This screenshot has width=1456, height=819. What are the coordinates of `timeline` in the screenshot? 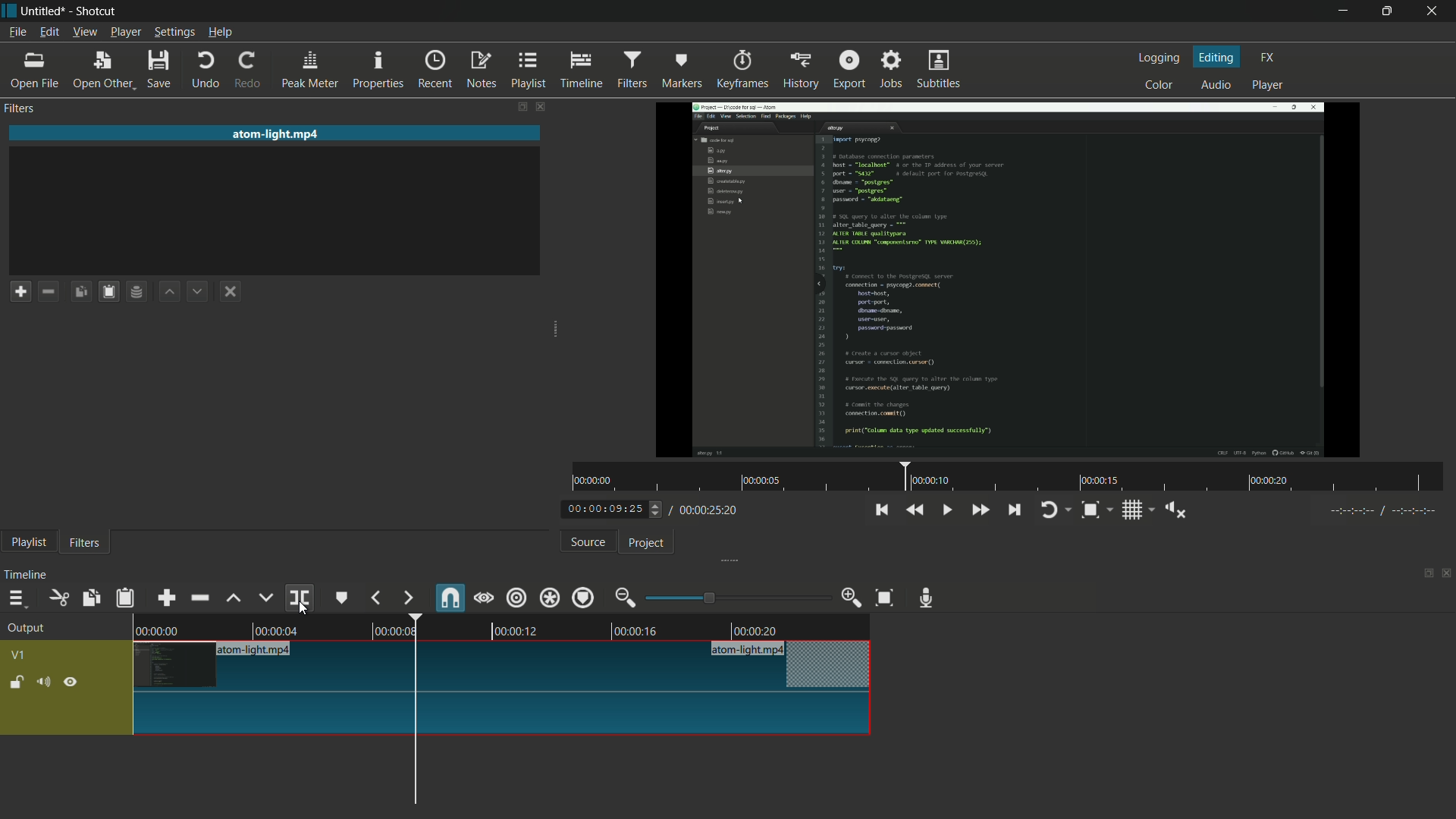 It's located at (28, 575).